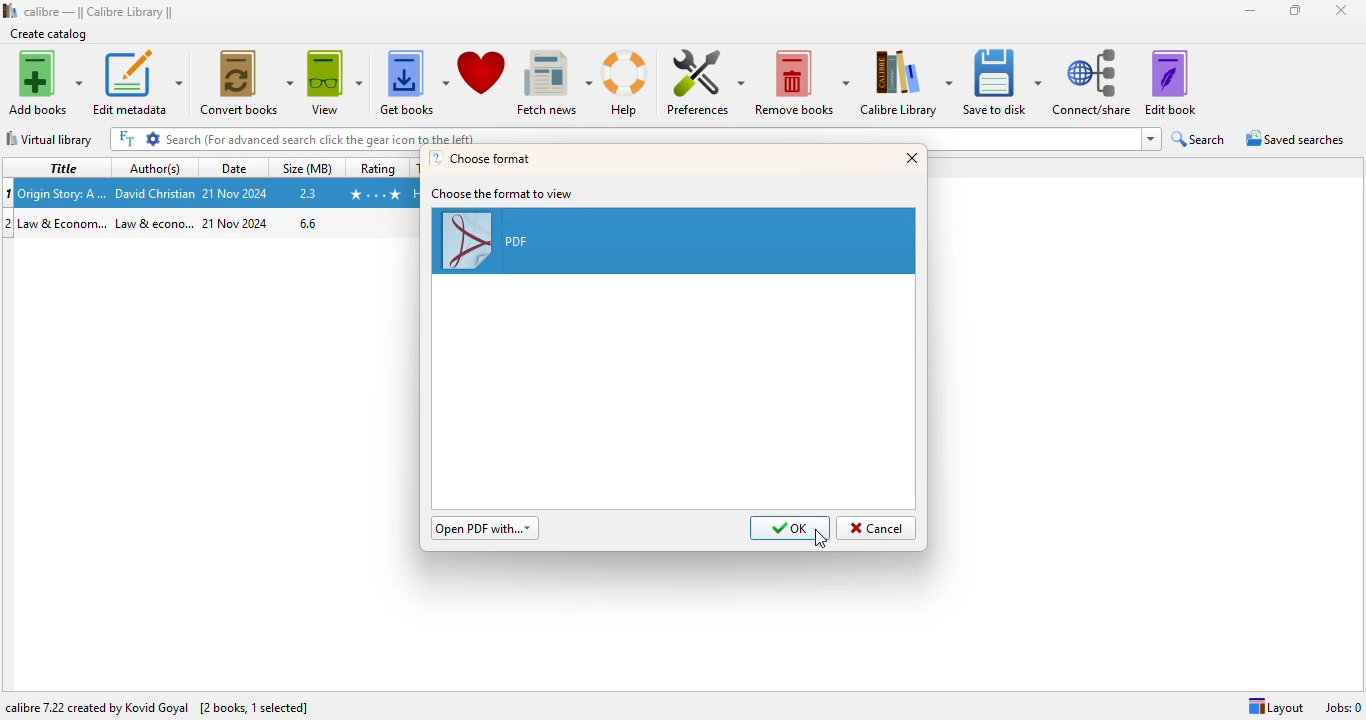  What do you see at coordinates (651, 137) in the screenshot?
I see `search` at bounding box center [651, 137].